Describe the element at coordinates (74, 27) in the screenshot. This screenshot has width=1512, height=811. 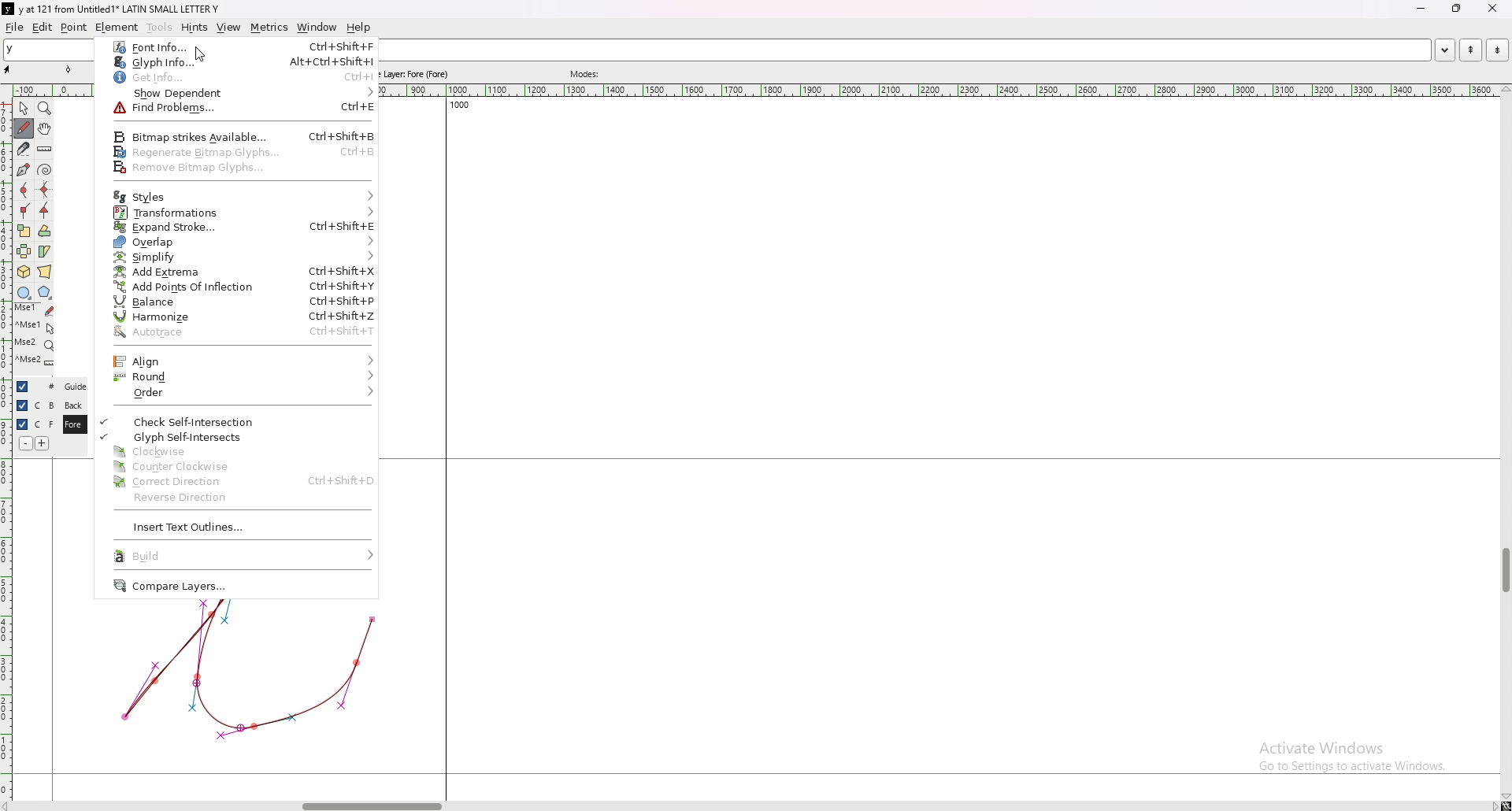
I see `point` at that location.